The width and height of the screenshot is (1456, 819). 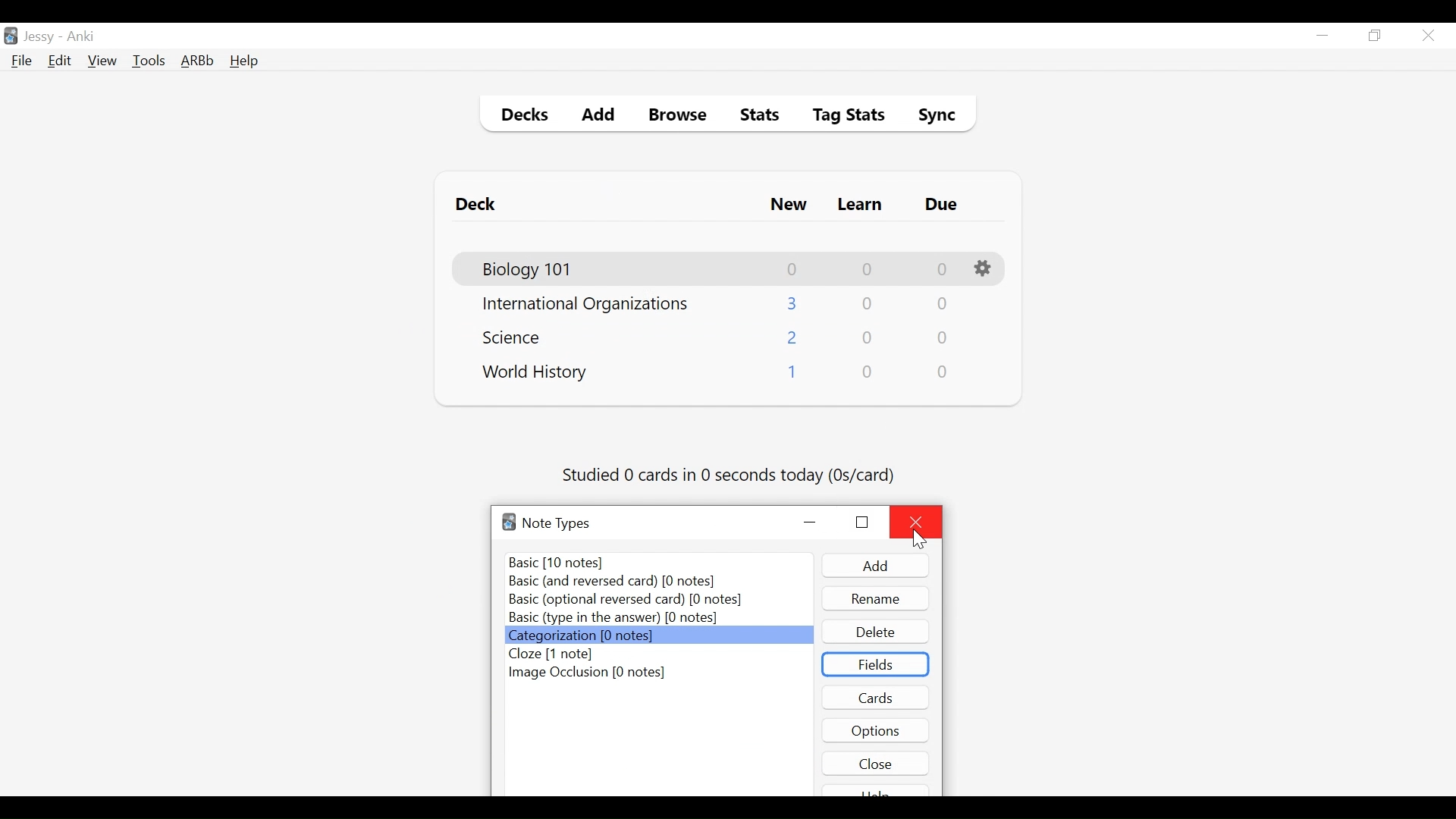 What do you see at coordinates (1428, 36) in the screenshot?
I see `Close` at bounding box center [1428, 36].